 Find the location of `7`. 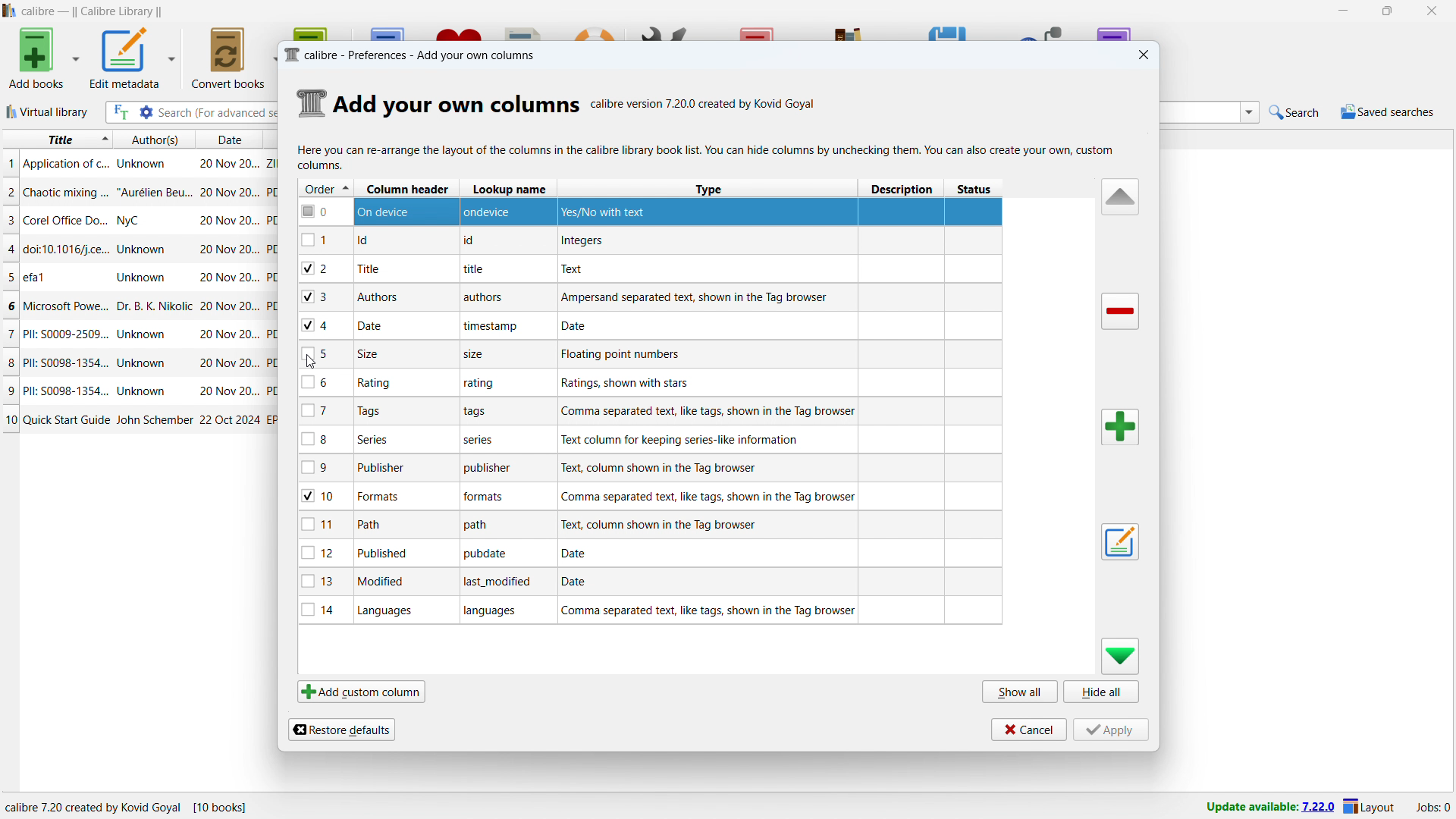

7 is located at coordinates (9, 334).